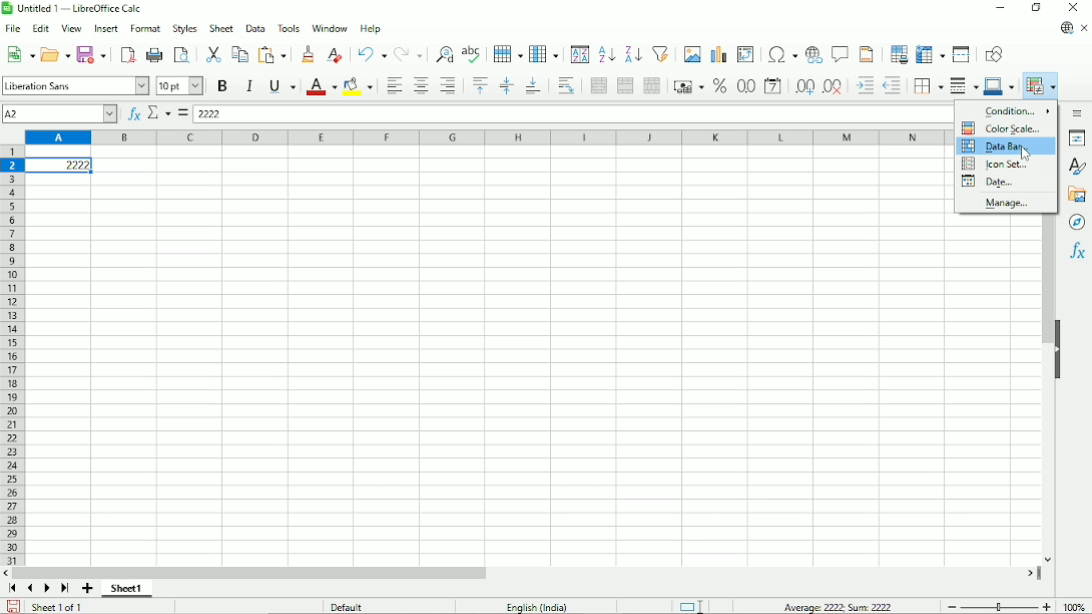 The width and height of the screenshot is (1092, 614). I want to click on Navigator, so click(1078, 223).